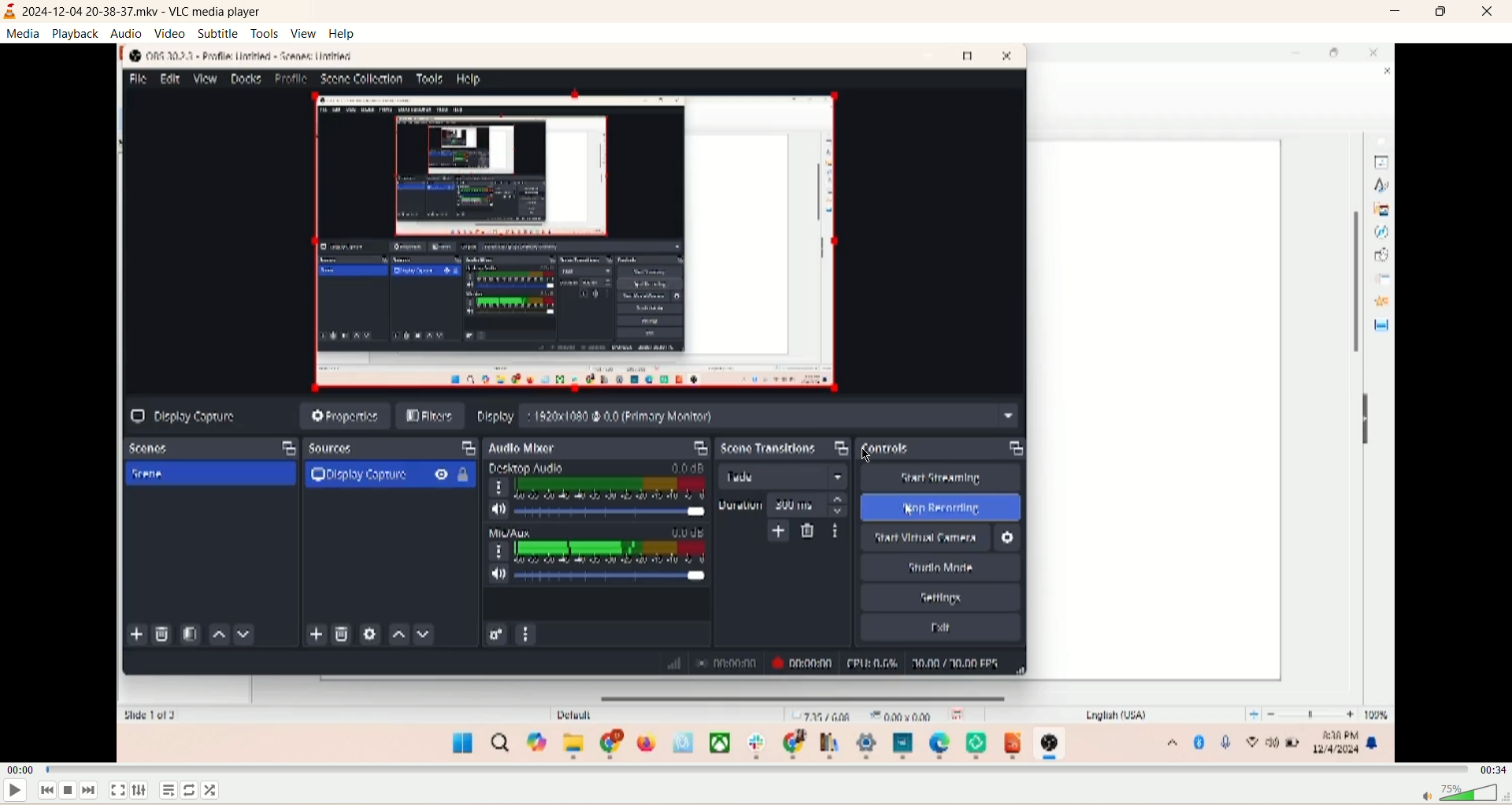  What do you see at coordinates (1466, 792) in the screenshot?
I see `volume bar  ` at bounding box center [1466, 792].